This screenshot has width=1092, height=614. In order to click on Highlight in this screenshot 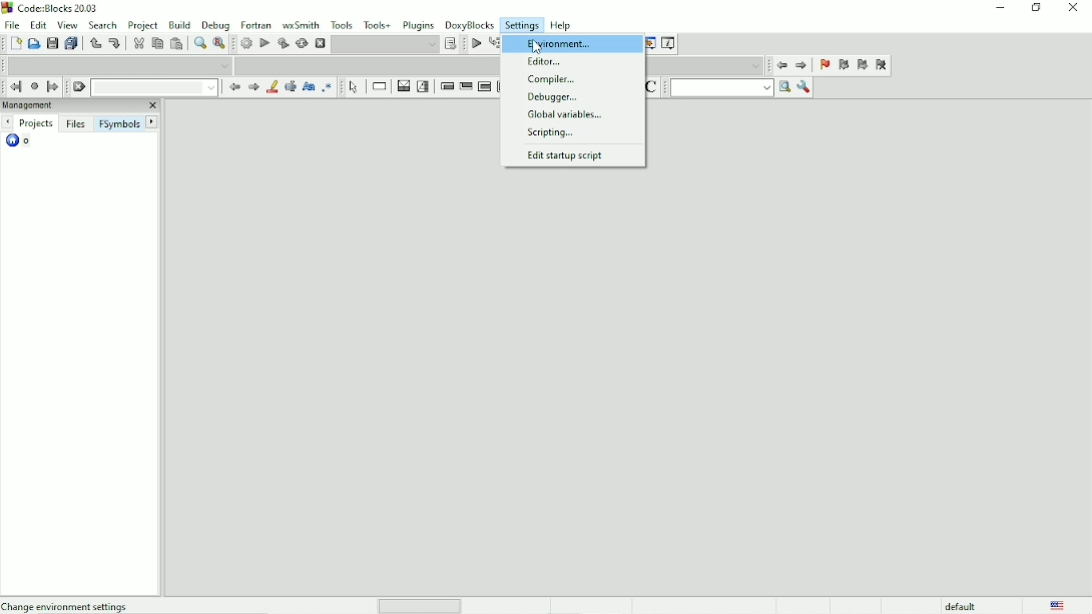, I will do `click(270, 87)`.